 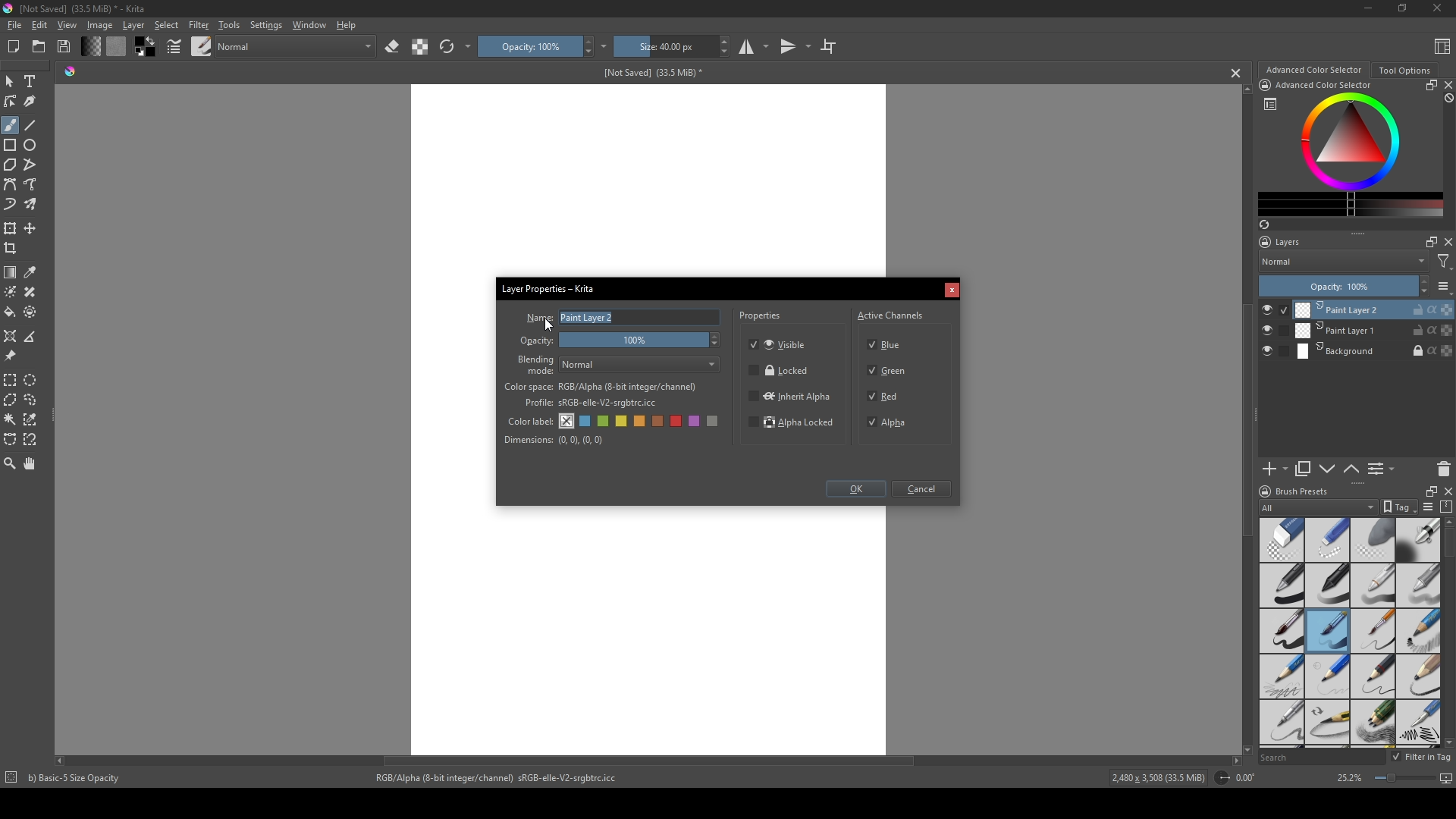 What do you see at coordinates (855, 491) in the screenshot?
I see `OK` at bounding box center [855, 491].